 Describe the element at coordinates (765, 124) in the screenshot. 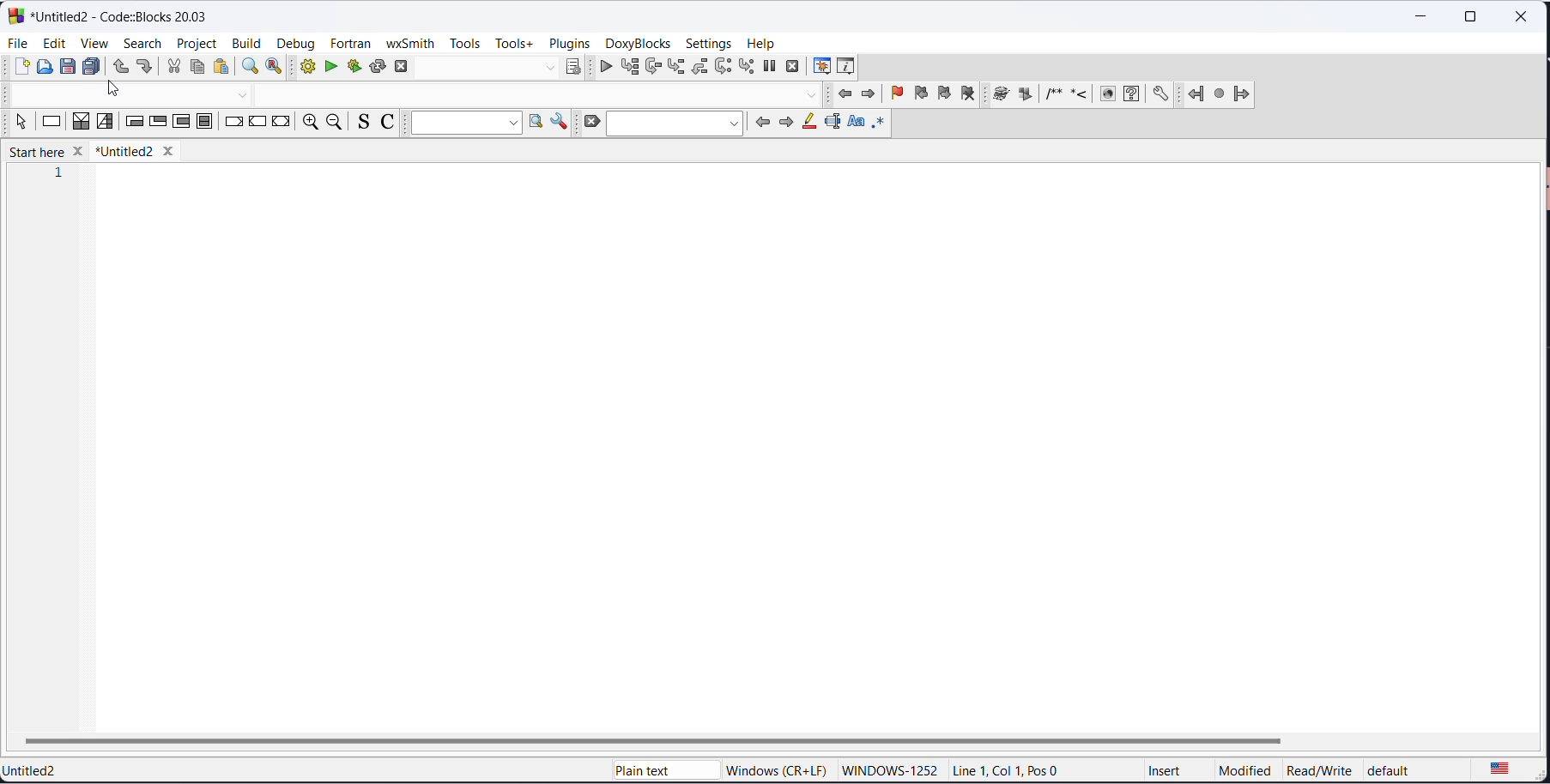

I see `previous` at that location.